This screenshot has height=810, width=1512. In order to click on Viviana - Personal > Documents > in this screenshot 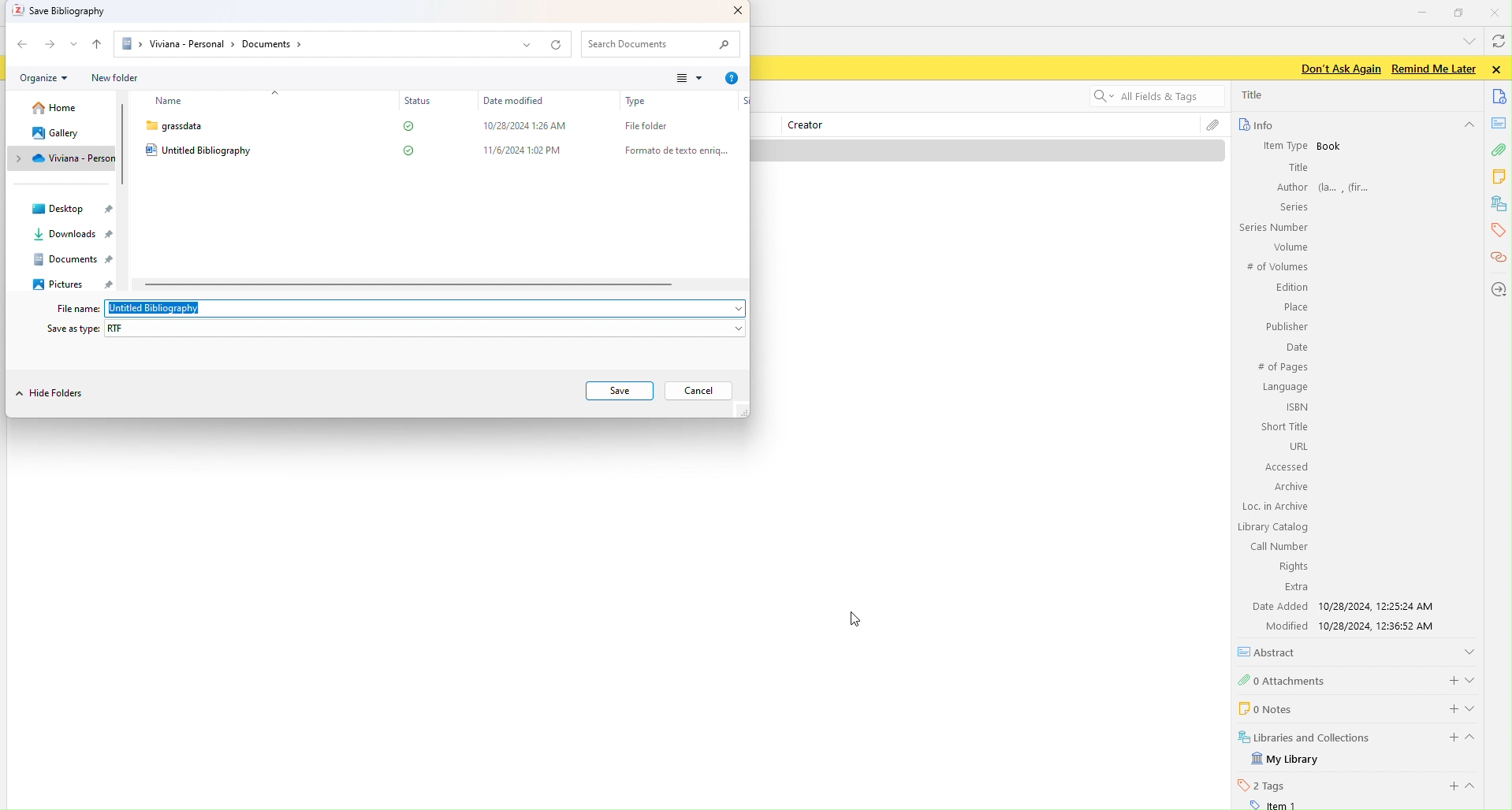, I will do `click(212, 44)`.